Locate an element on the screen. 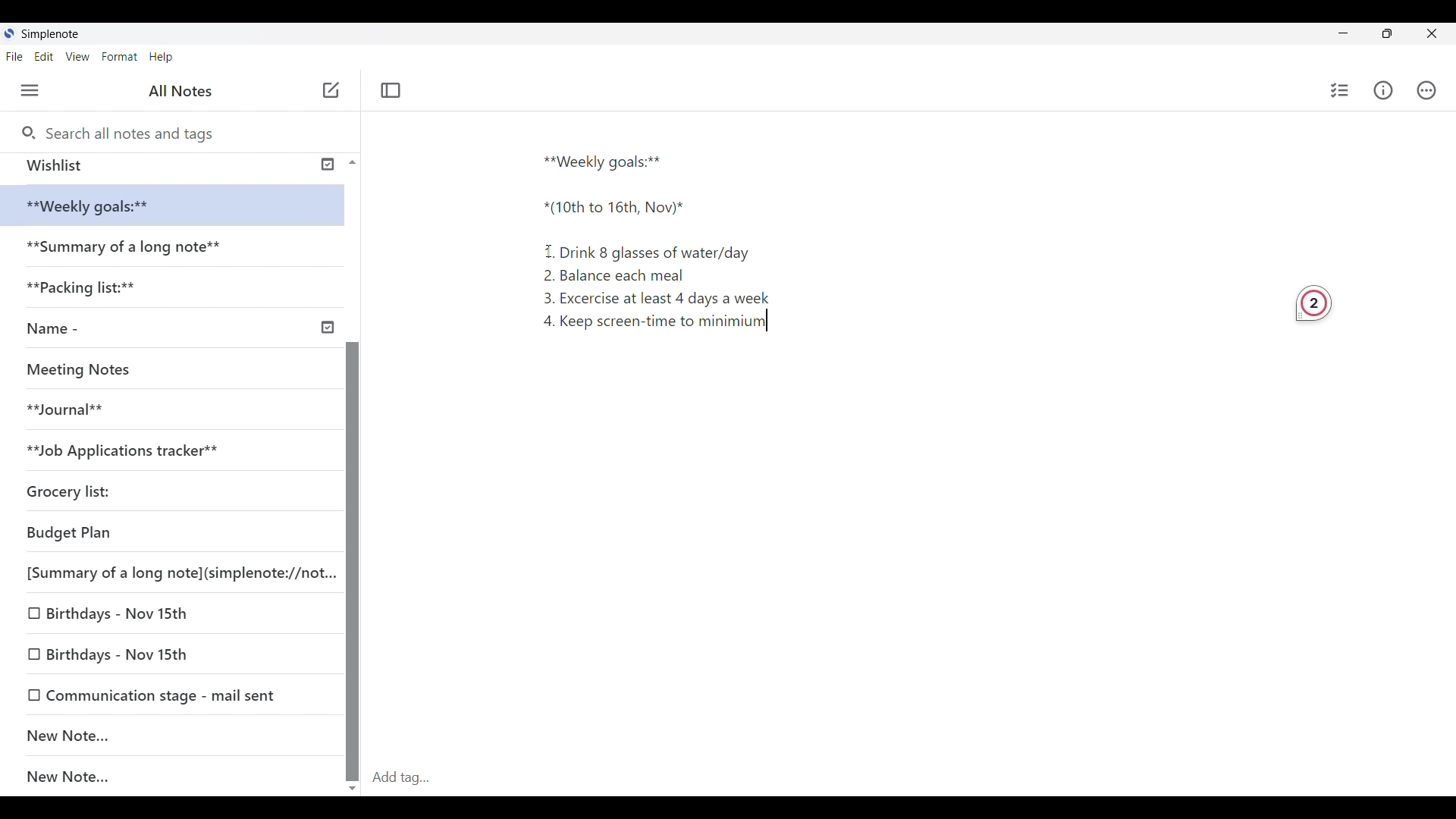 This screenshot has width=1456, height=819. Grammarly assist bubble is located at coordinates (1307, 301).